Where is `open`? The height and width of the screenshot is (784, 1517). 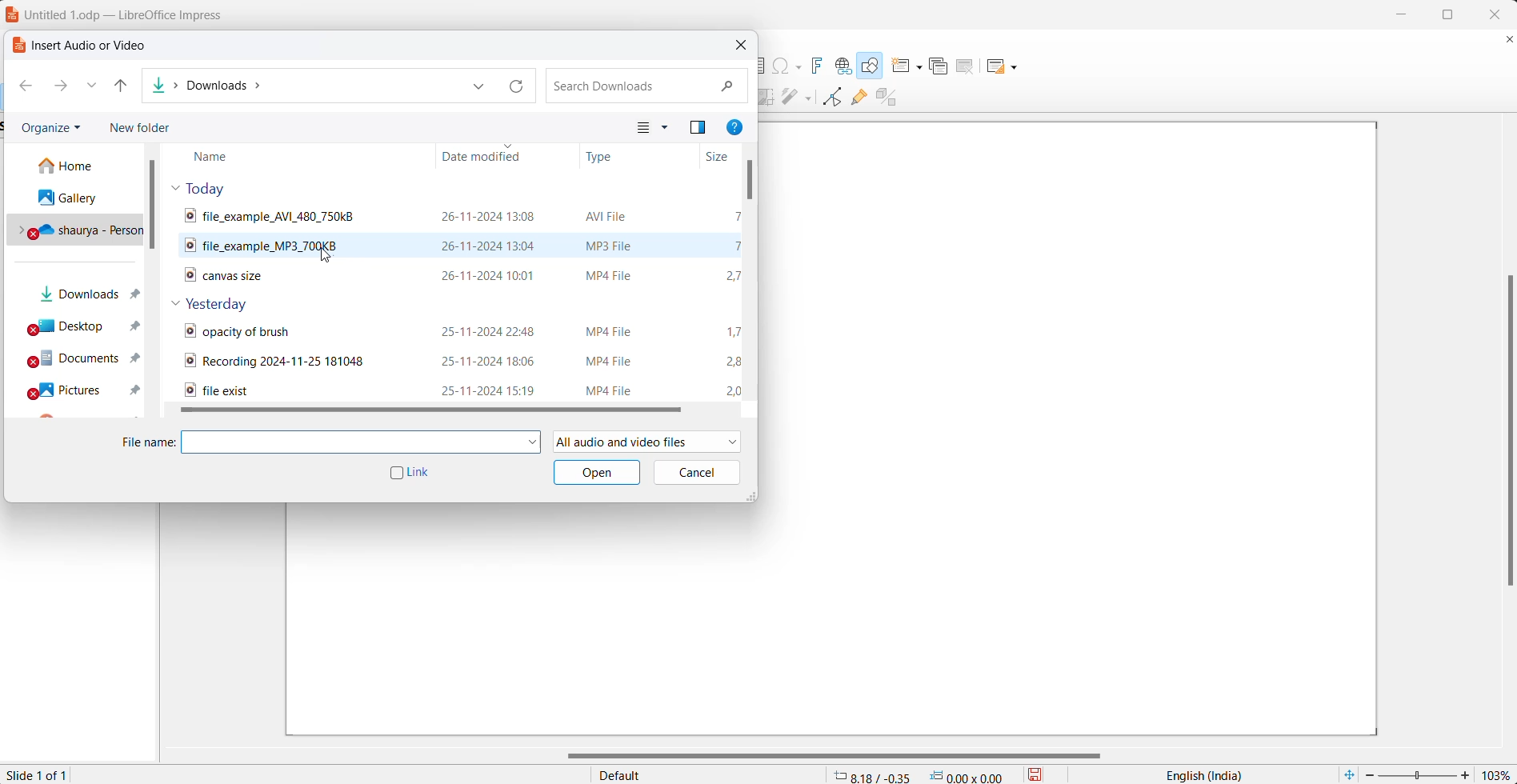 open is located at coordinates (595, 473).